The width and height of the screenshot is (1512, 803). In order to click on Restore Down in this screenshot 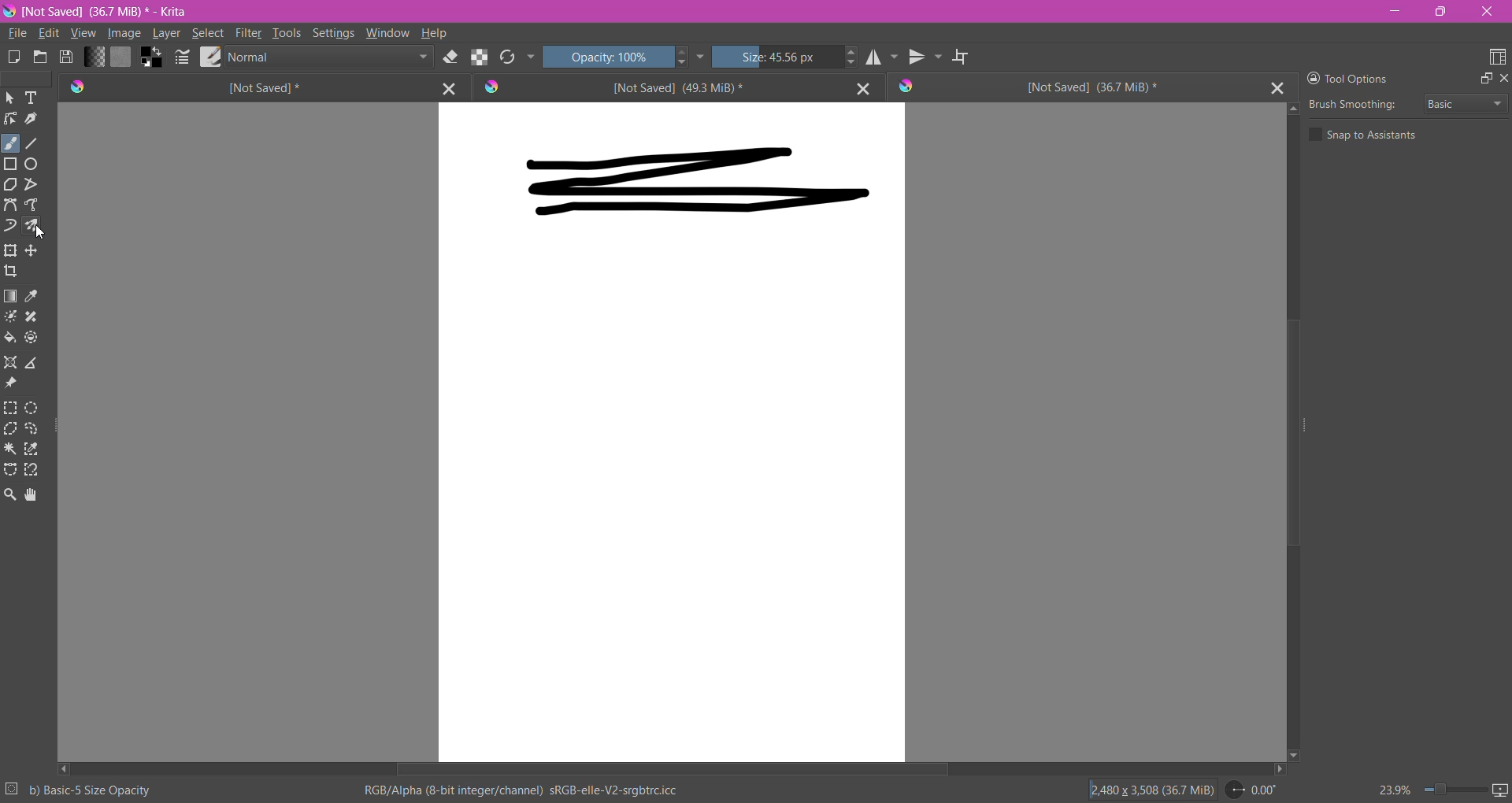, I will do `click(1443, 12)`.